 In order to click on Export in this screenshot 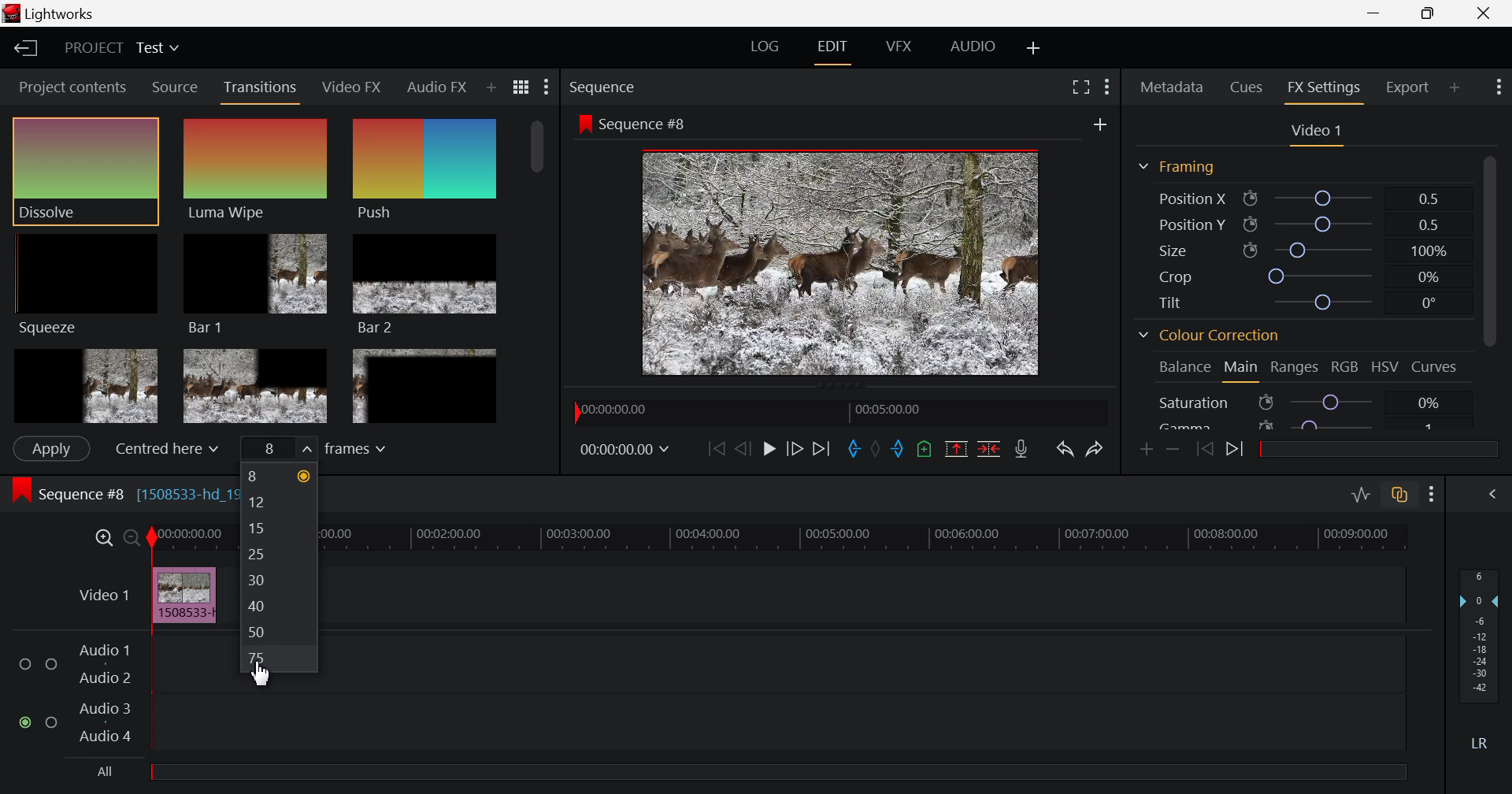, I will do `click(1407, 84)`.